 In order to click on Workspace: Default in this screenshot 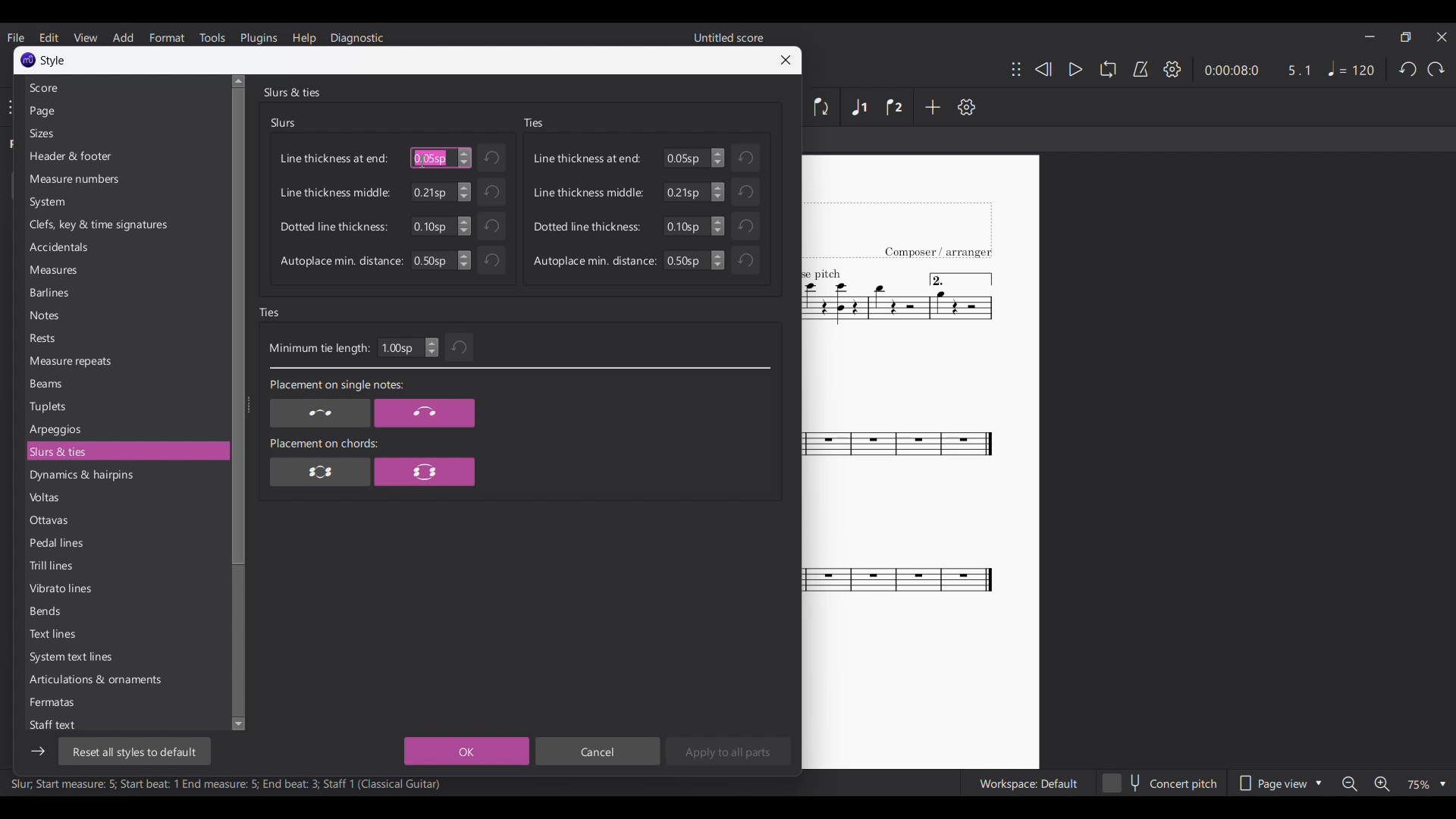, I will do `click(1028, 783)`.